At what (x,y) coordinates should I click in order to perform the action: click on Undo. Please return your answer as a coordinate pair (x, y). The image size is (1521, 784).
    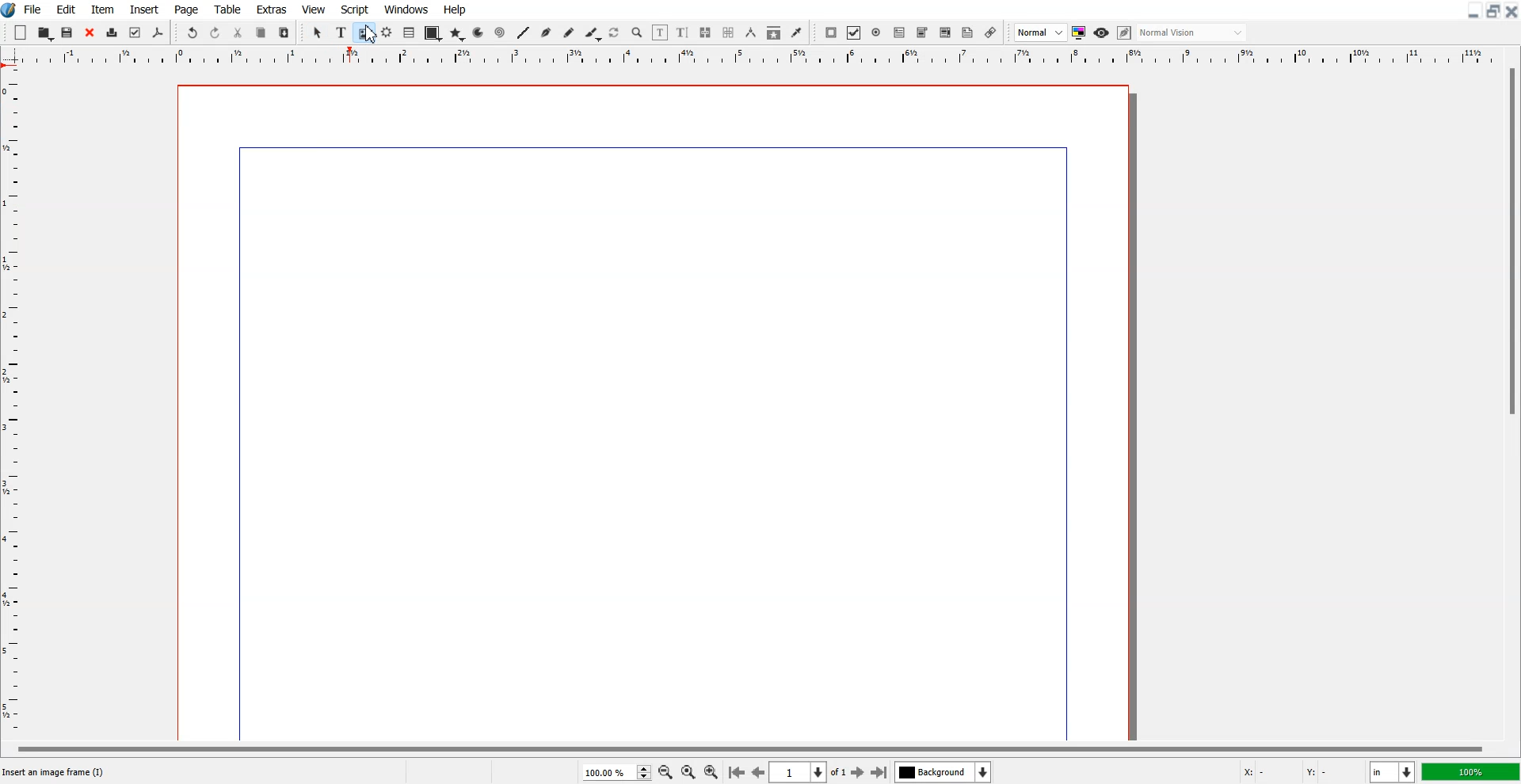
    Looking at the image, I should click on (193, 32).